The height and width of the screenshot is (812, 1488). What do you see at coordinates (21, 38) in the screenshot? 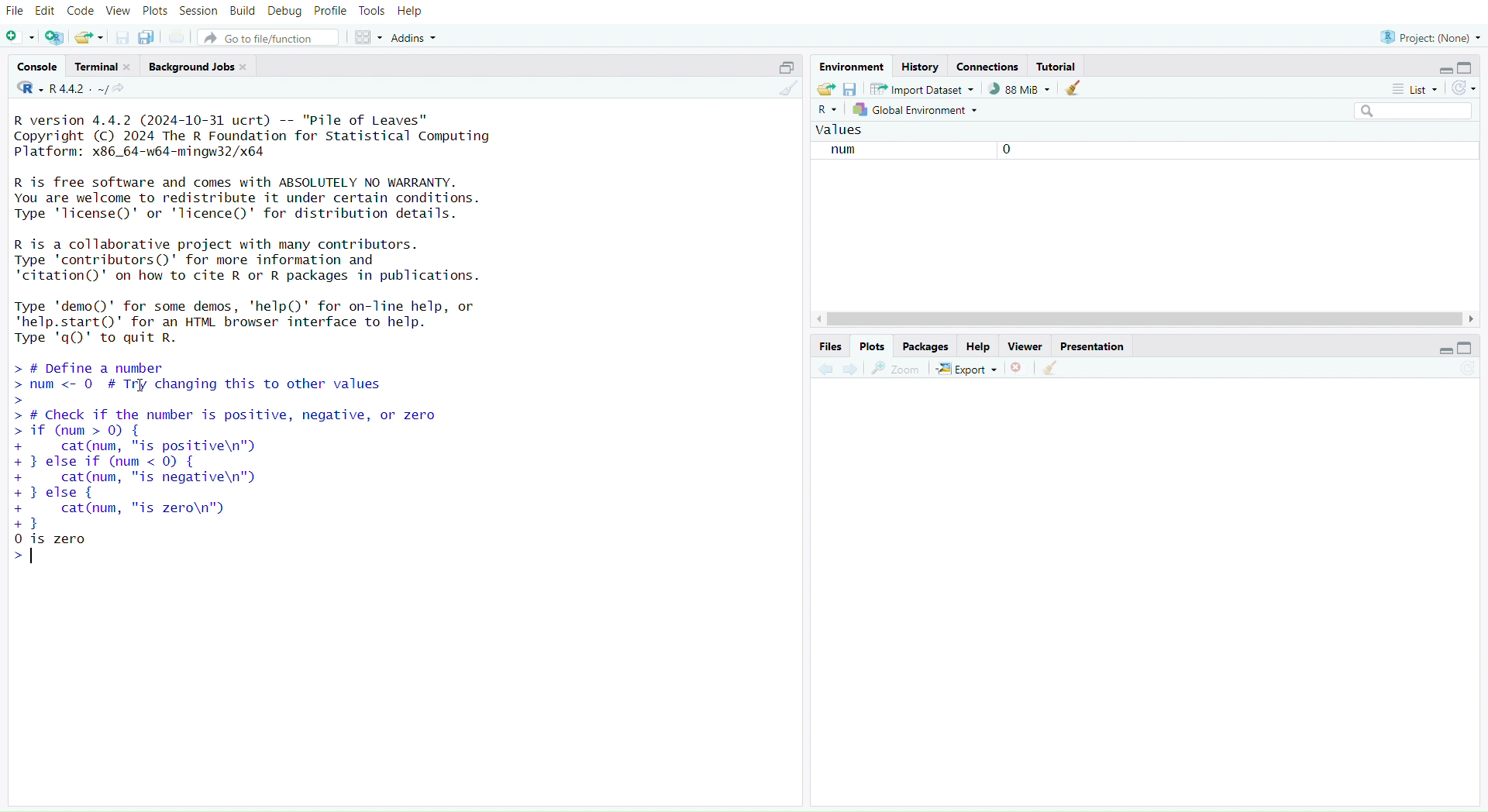
I see `new script` at bounding box center [21, 38].